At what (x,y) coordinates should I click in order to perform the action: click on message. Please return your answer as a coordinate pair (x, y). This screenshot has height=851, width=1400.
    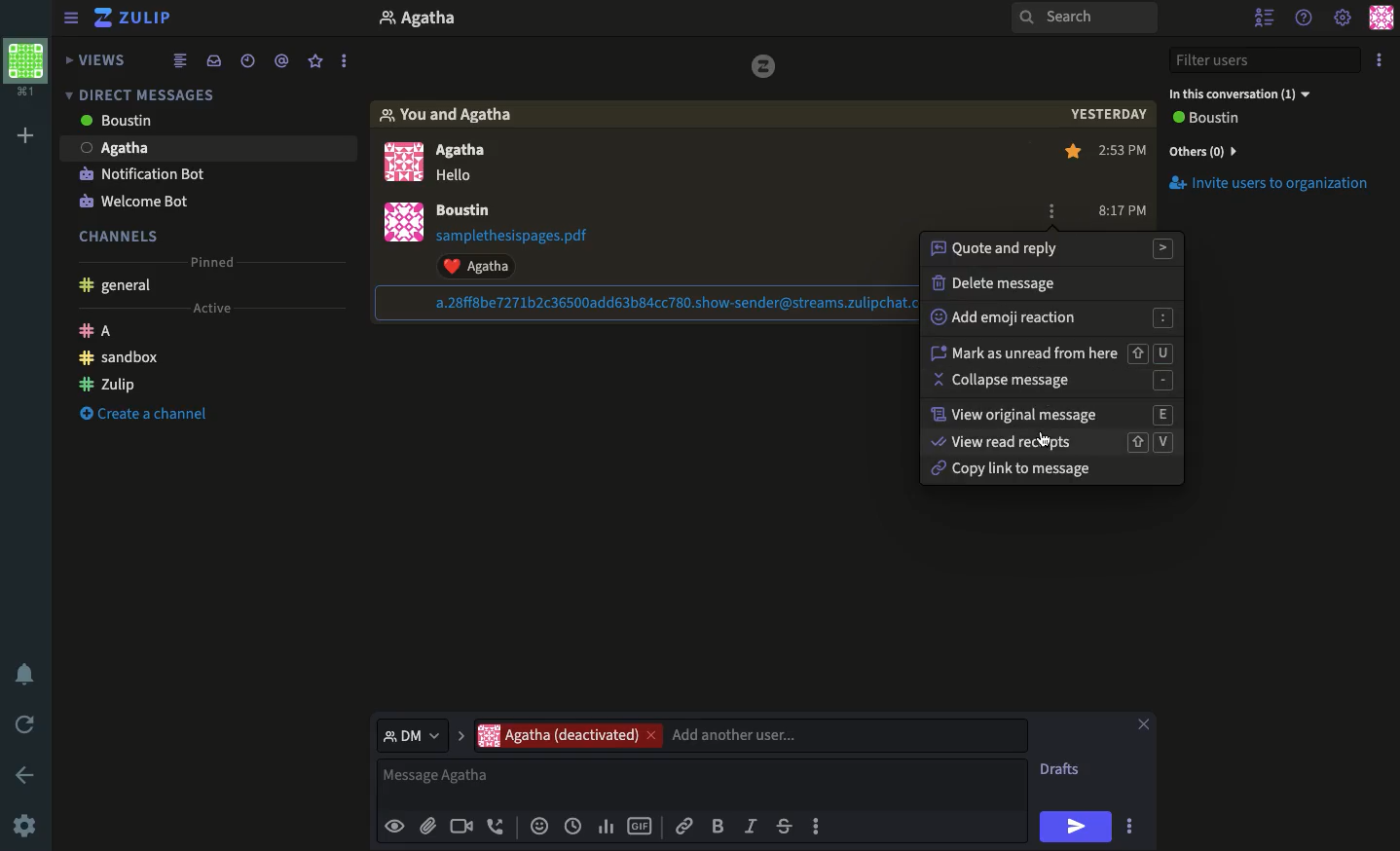
    Looking at the image, I should click on (460, 177).